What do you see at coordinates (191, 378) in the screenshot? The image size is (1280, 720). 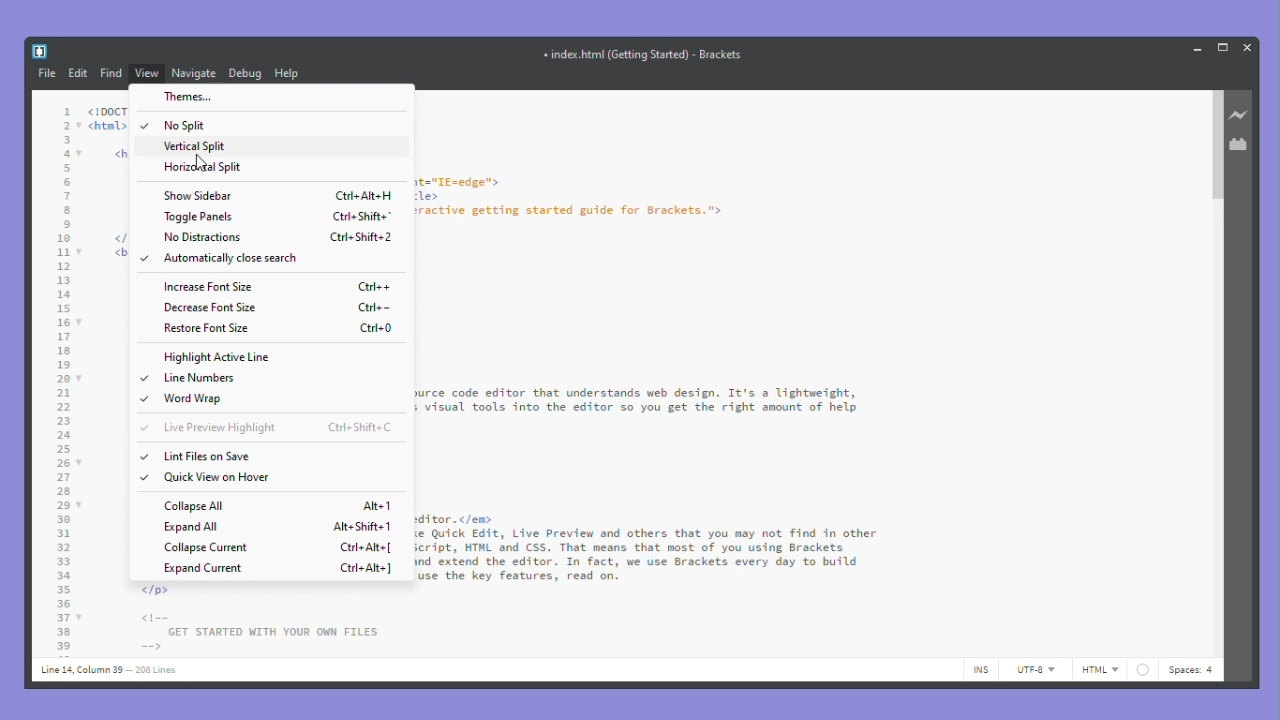 I see `Line numbers` at bounding box center [191, 378].